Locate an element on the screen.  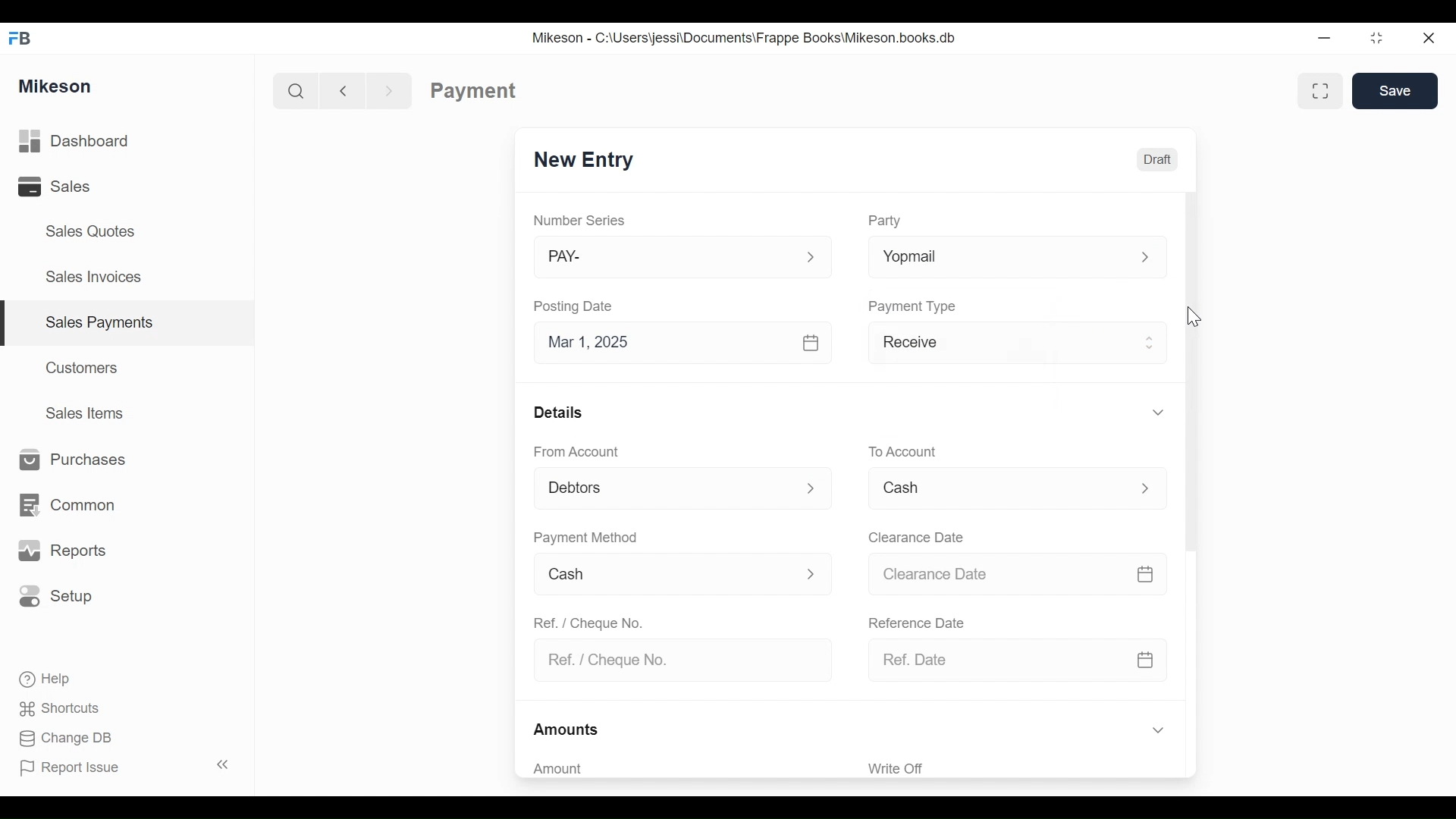
Amounts is located at coordinates (570, 726).